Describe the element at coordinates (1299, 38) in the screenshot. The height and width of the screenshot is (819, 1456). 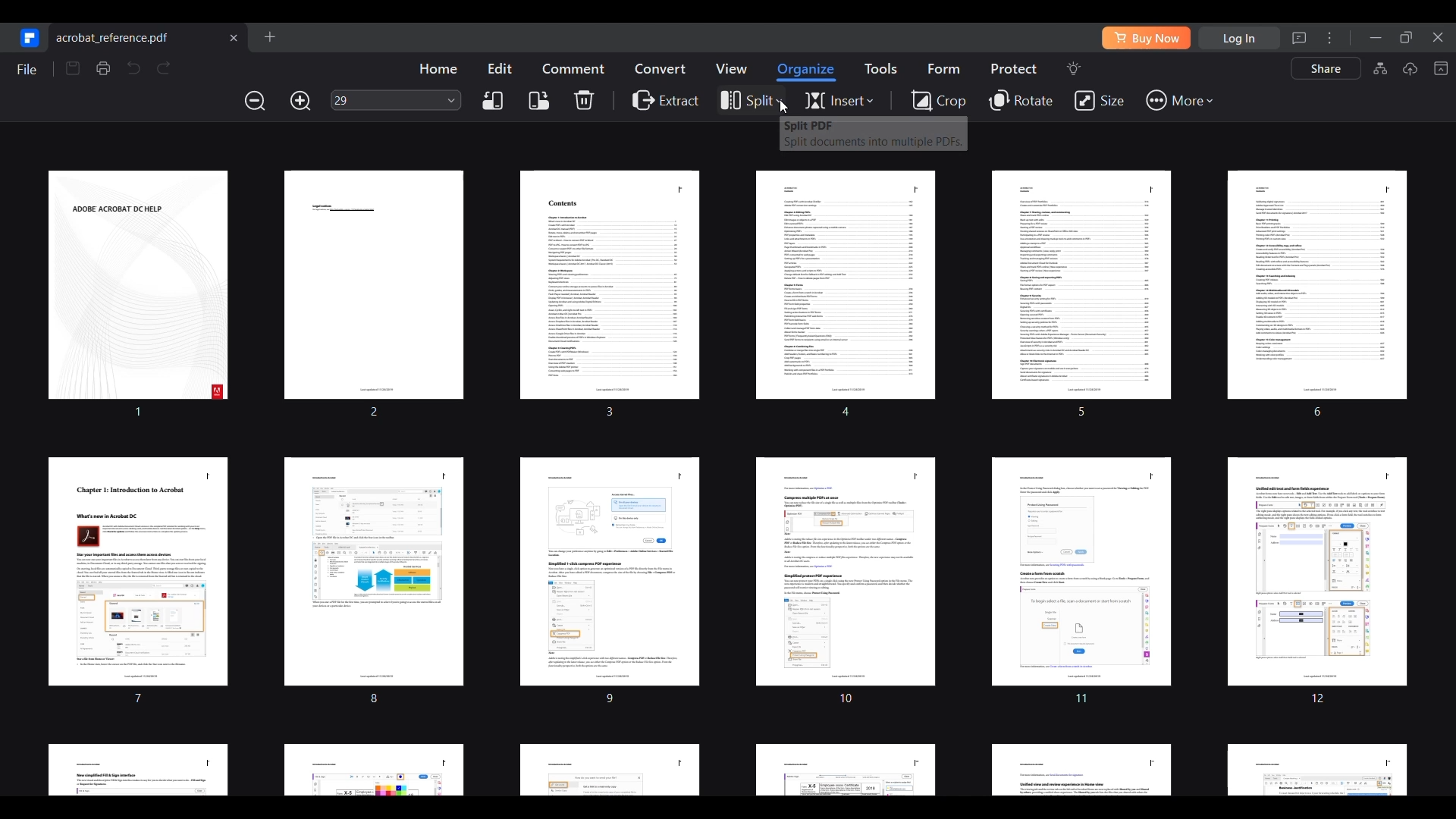
I see `Message center` at that location.